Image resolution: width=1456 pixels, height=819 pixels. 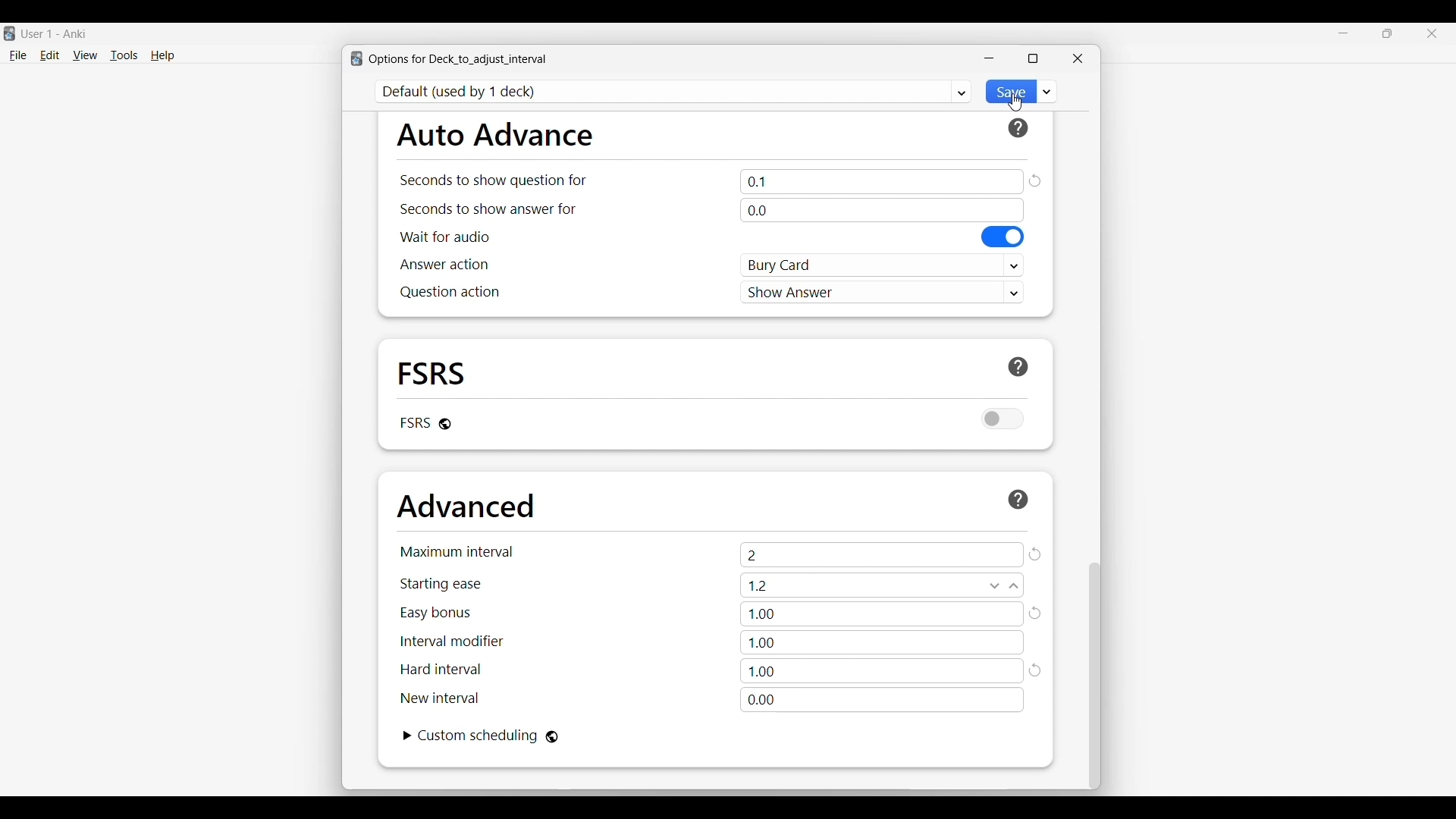 What do you see at coordinates (1035, 554) in the screenshot?
I see `reload` at bounding box center [1035, 554].